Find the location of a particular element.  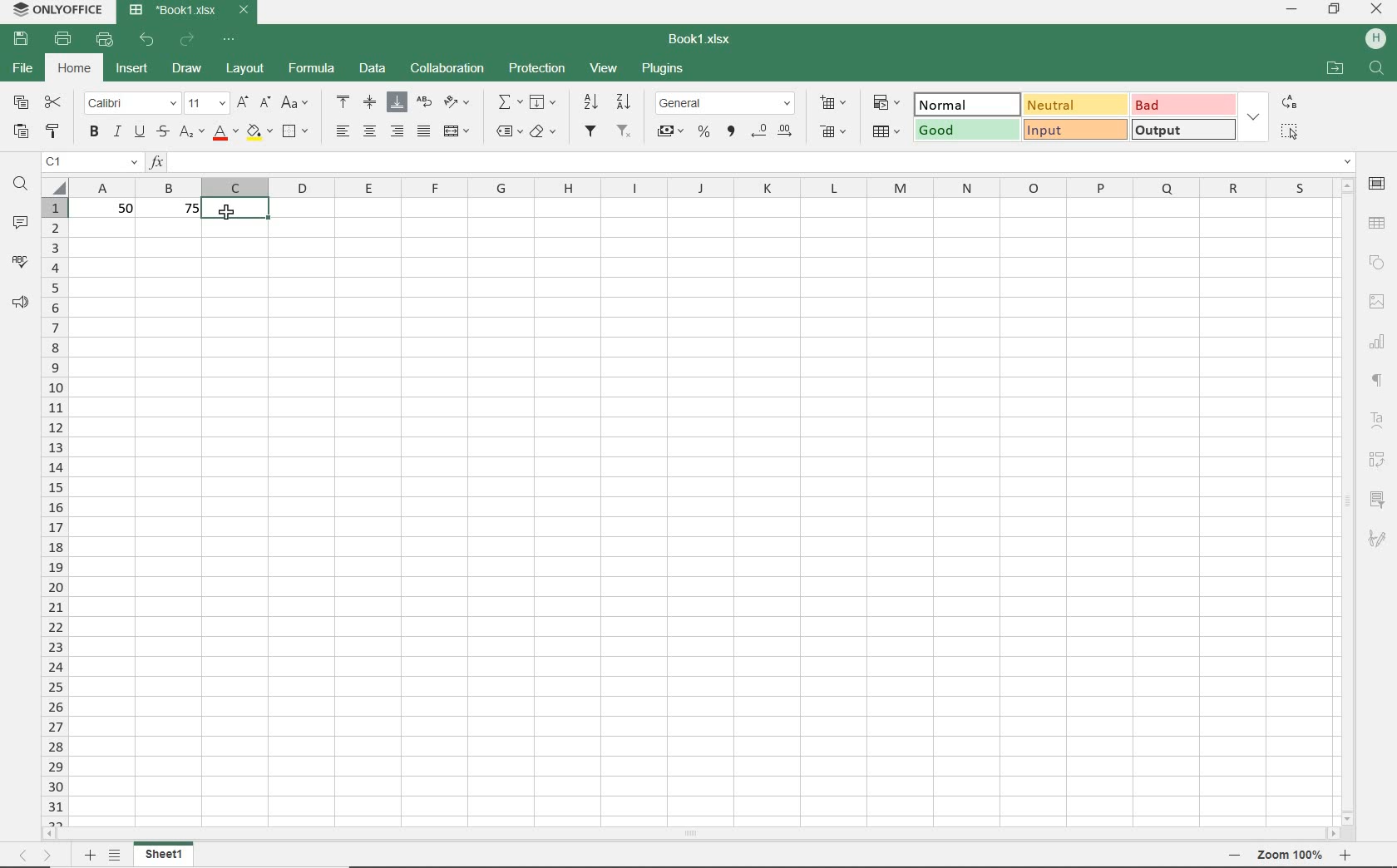

shapes is located at coordinates (1377, 262).